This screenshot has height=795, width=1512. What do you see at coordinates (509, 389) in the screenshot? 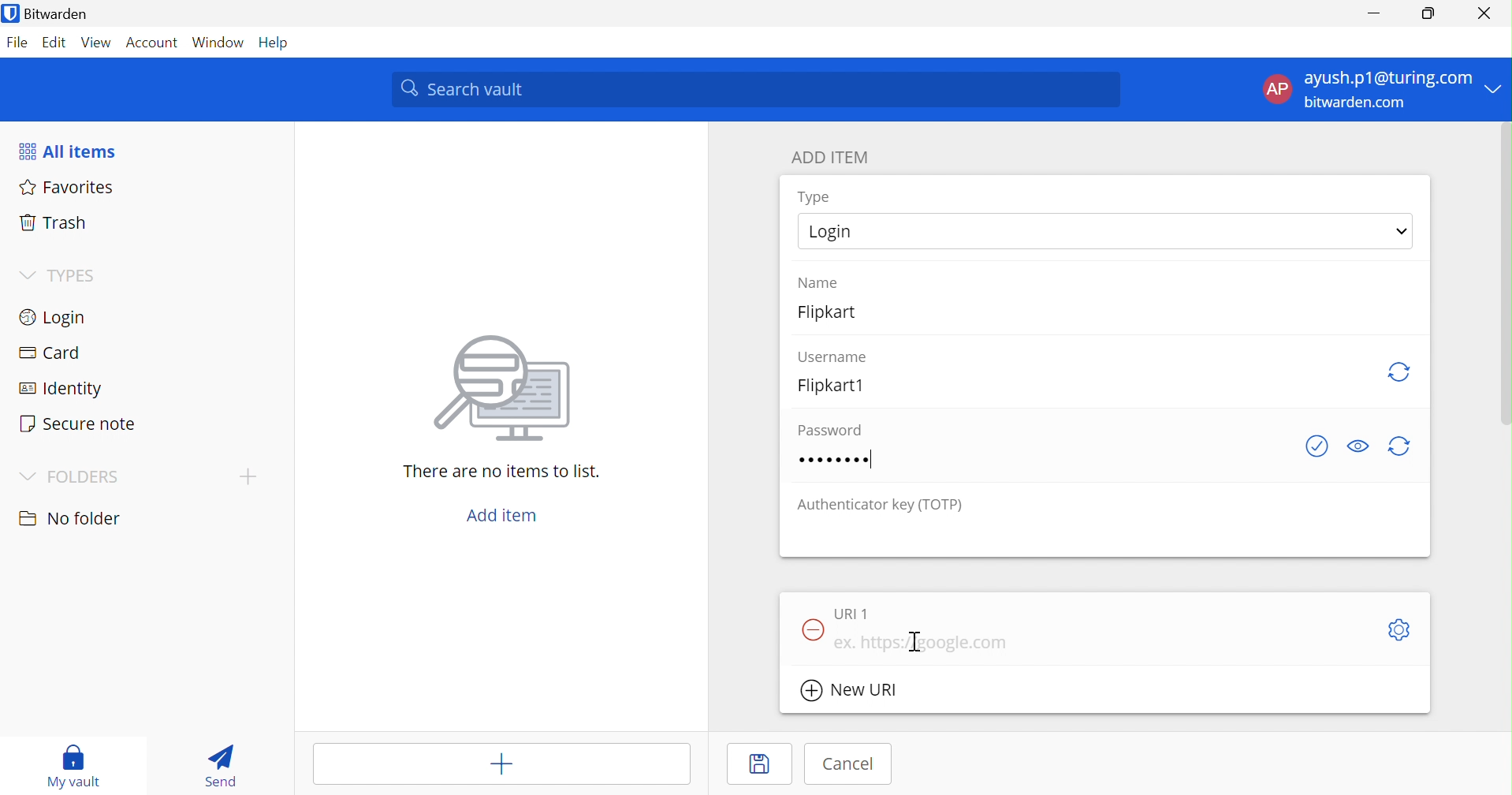
I see `image` at bounding box center [509, 389].